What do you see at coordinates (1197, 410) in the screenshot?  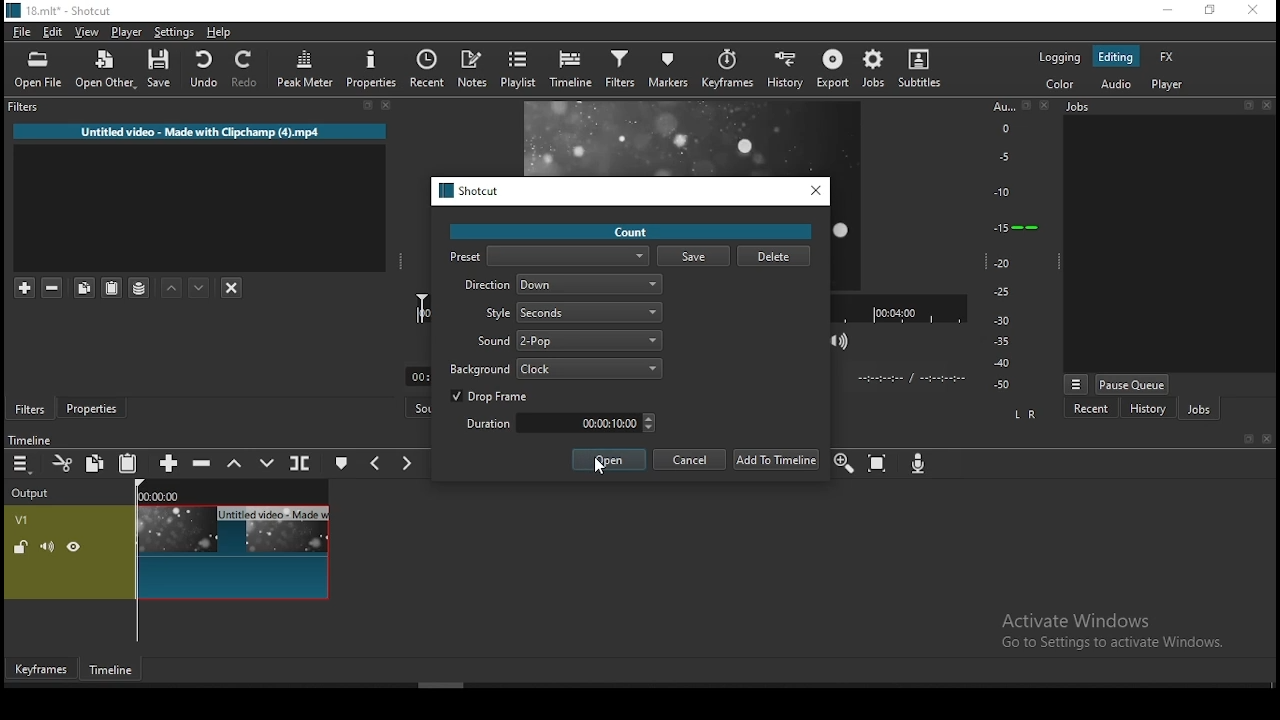 I see `jobs` at bounding box center [1197, 410].